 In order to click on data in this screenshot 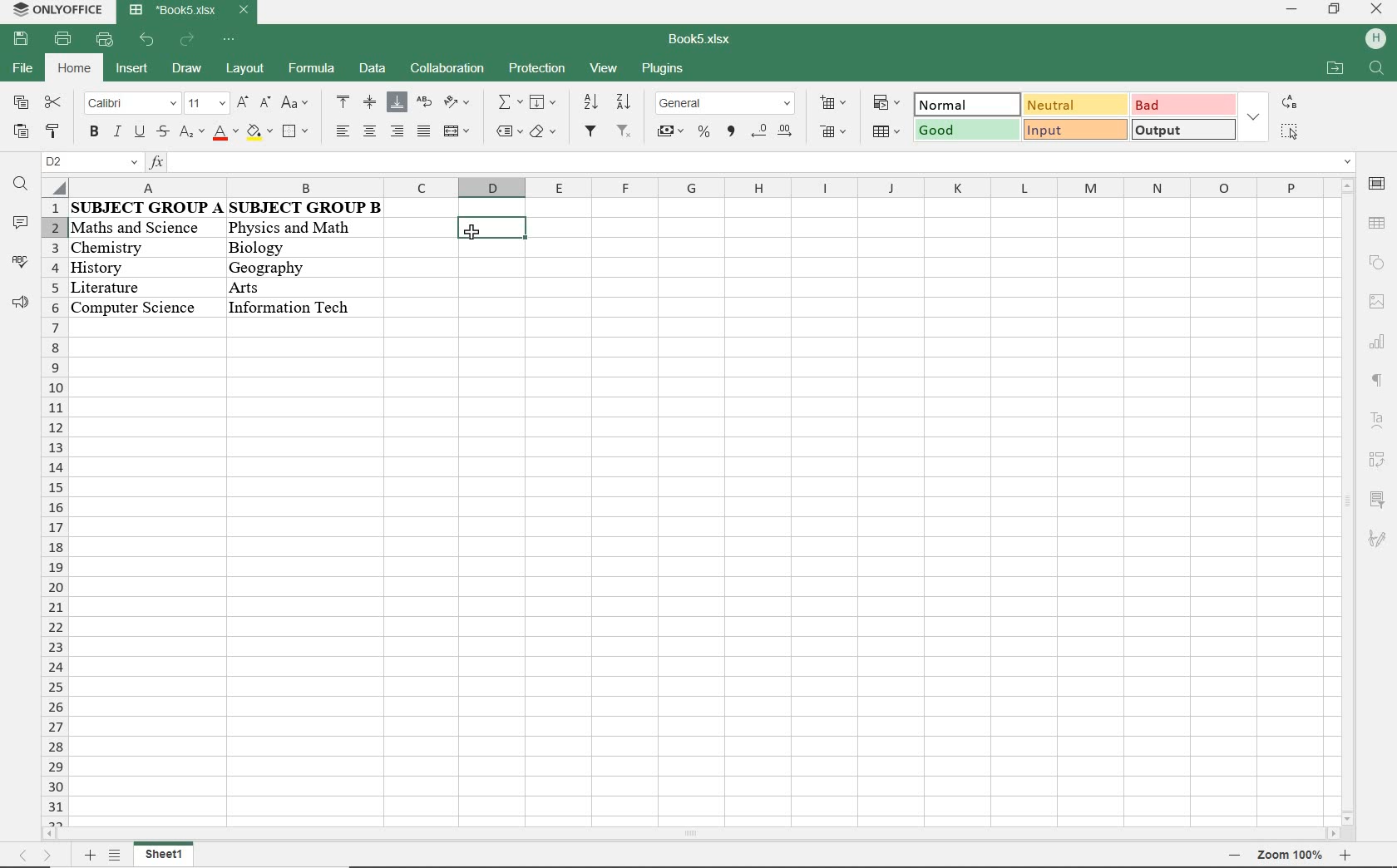, I will do `click(373, 67)`.